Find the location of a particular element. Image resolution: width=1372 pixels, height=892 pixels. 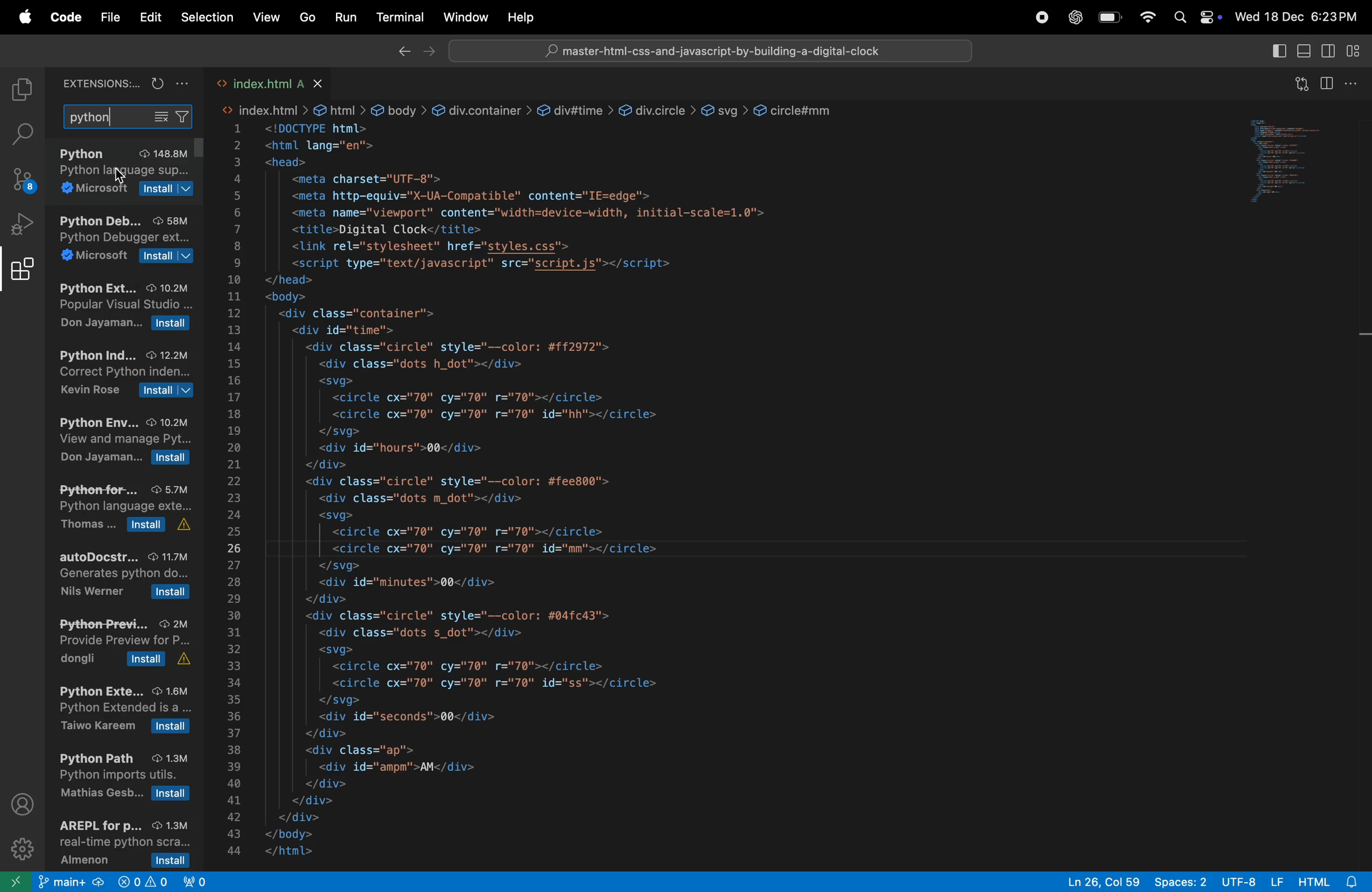

open new window is located at coordinates (17, 880).